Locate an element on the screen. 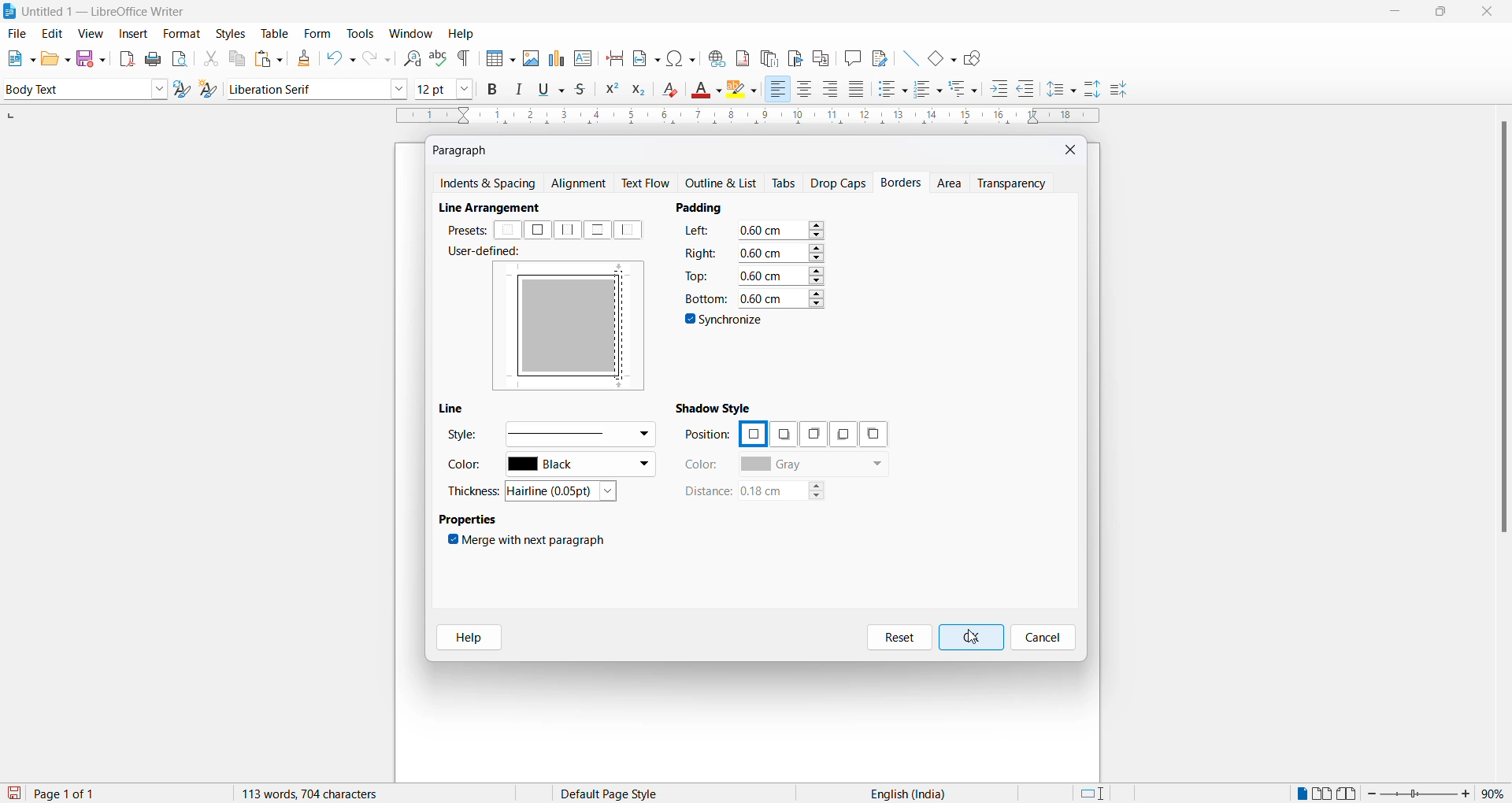  close is located at coordinates (1491, 13).